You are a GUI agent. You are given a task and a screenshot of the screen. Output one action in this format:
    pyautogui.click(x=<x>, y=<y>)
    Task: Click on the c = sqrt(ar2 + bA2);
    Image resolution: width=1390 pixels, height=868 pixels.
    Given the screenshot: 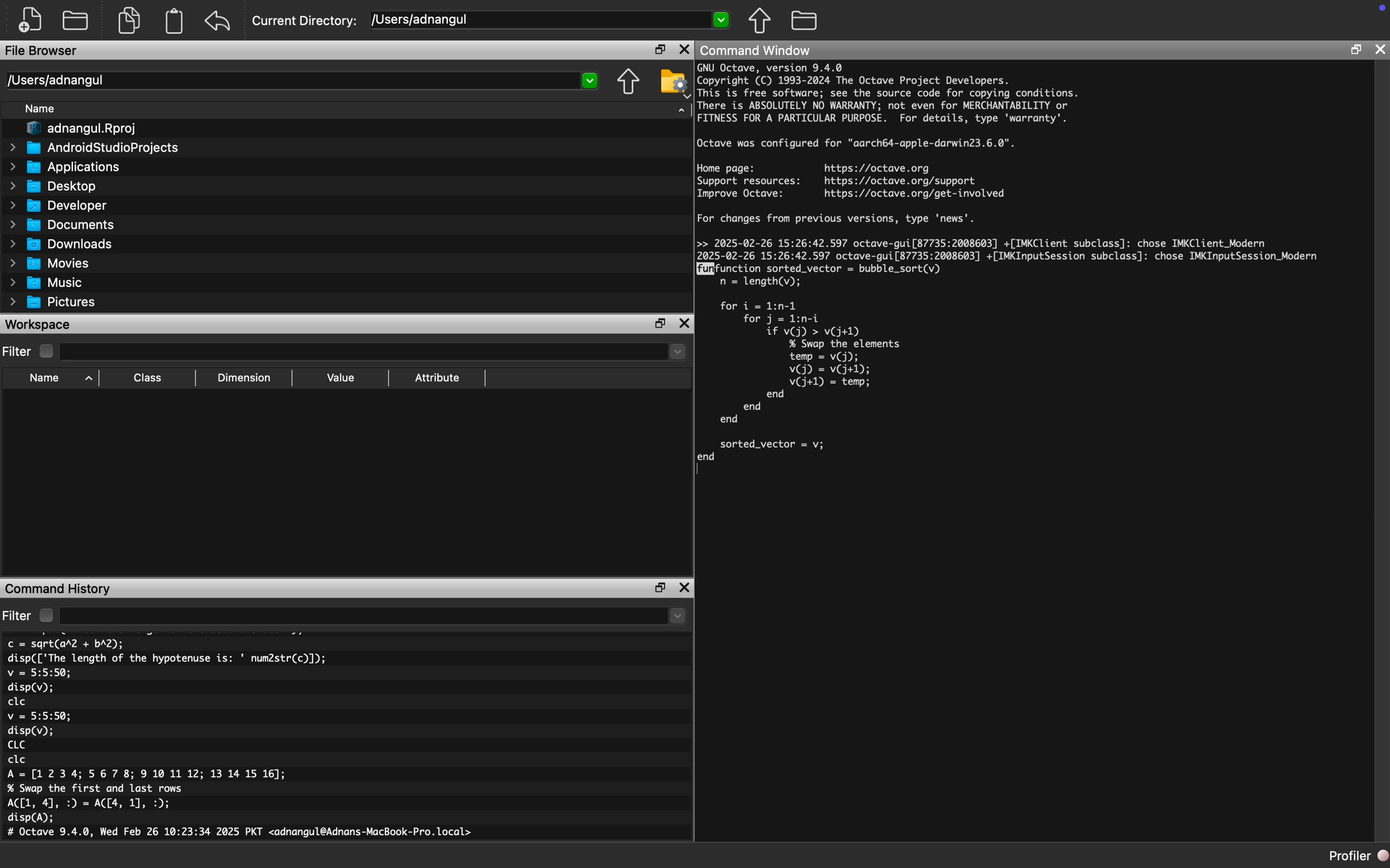 What is the action you would take?
    pyautogui.click(x=66, y=644)
    